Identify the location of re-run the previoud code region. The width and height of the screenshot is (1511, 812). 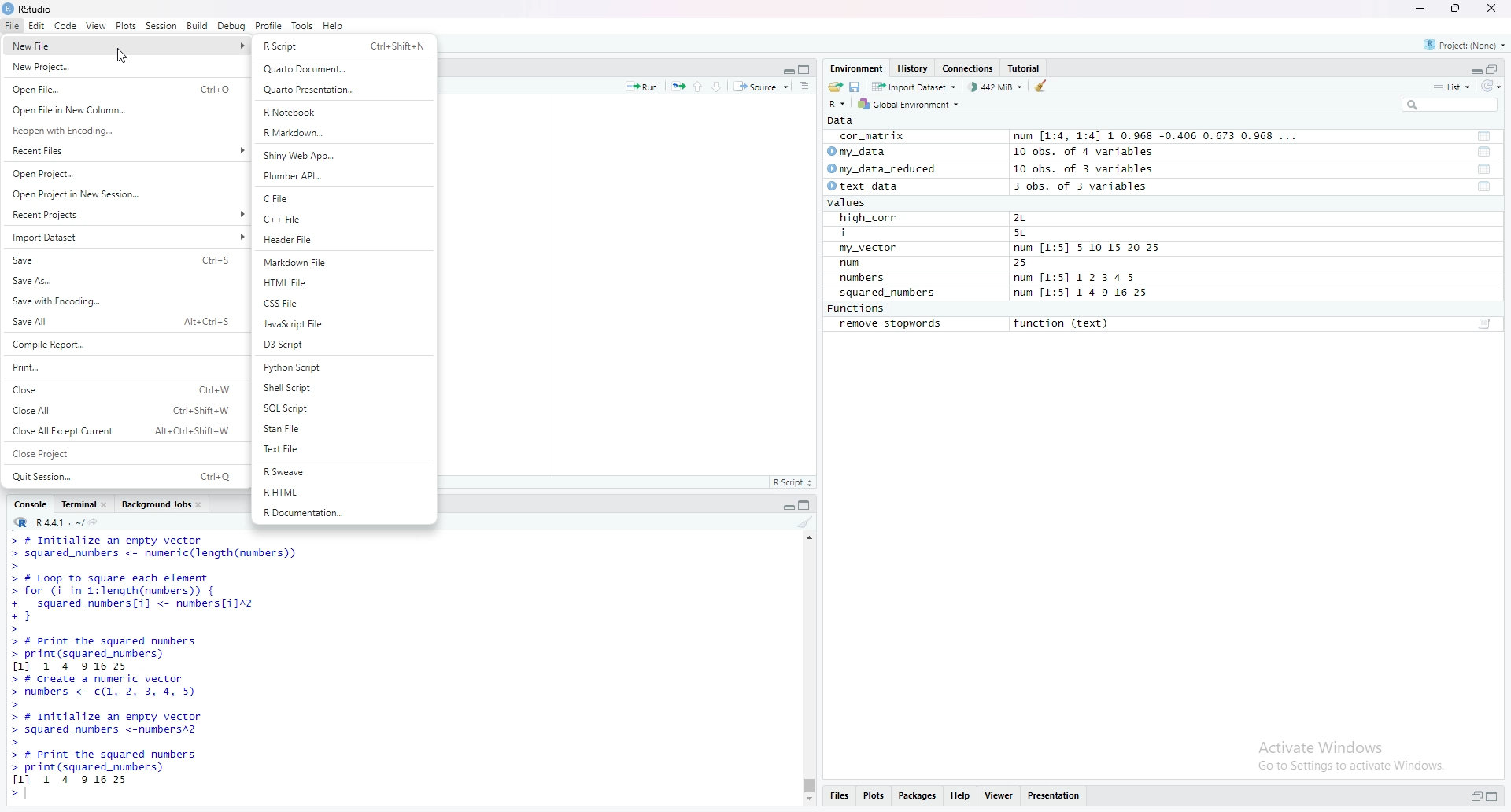
(678, 87).